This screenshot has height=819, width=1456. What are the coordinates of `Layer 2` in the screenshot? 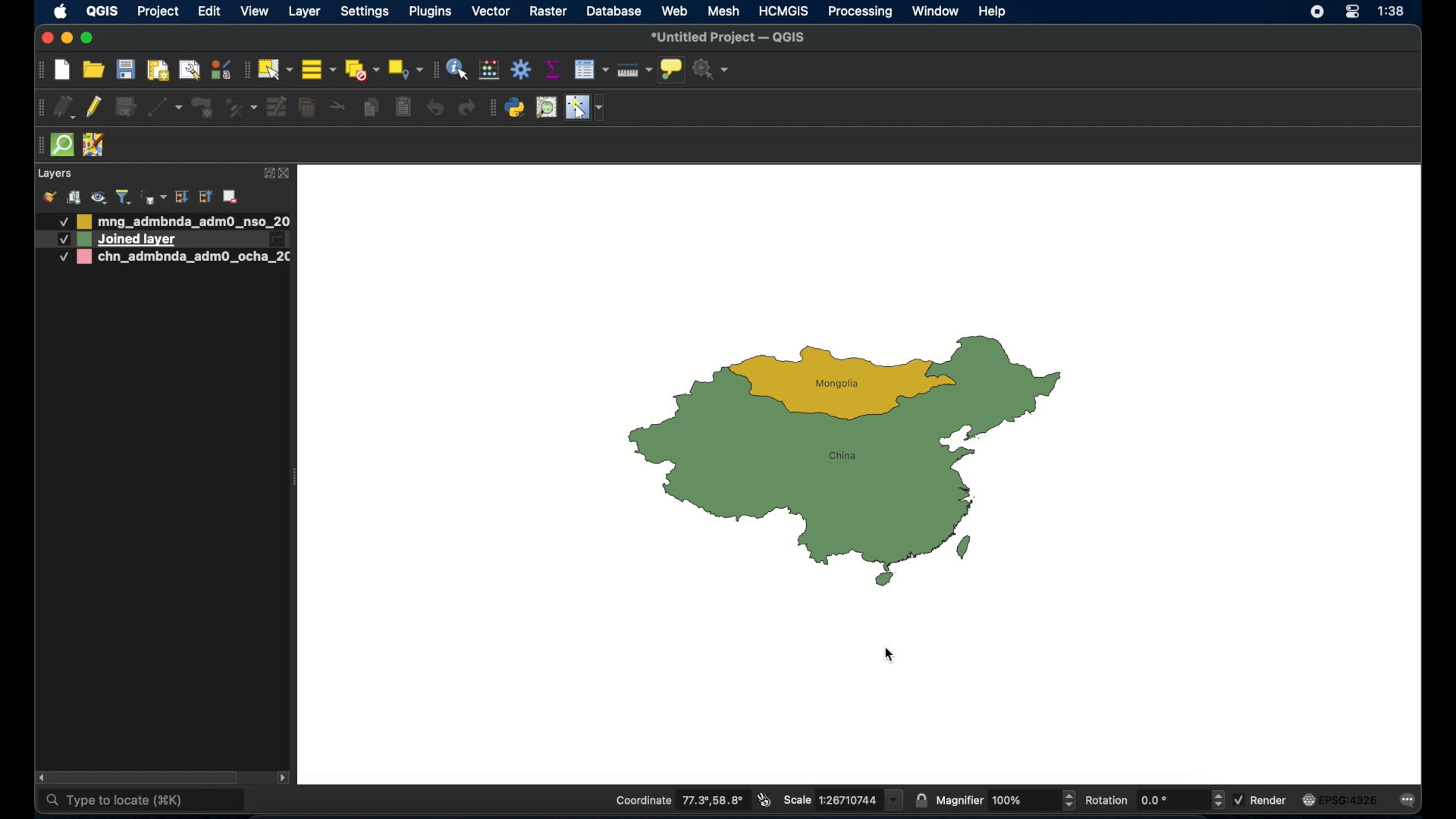 It's located at (186, 240).